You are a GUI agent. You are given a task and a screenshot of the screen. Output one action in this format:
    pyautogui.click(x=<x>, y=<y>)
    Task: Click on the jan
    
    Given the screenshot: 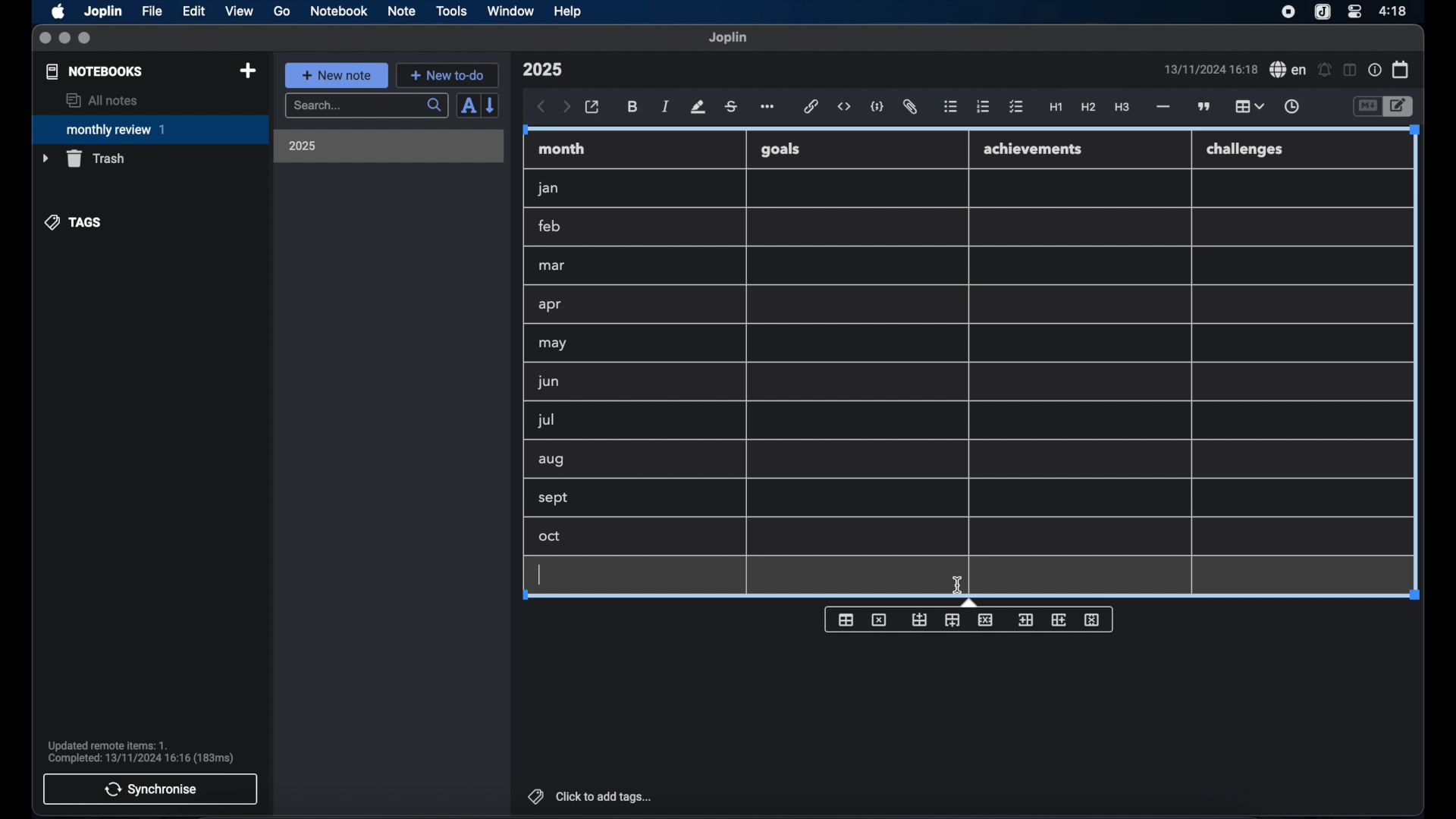 What is the action you would take?
    pyautogui.click(x=548, y=189)
    